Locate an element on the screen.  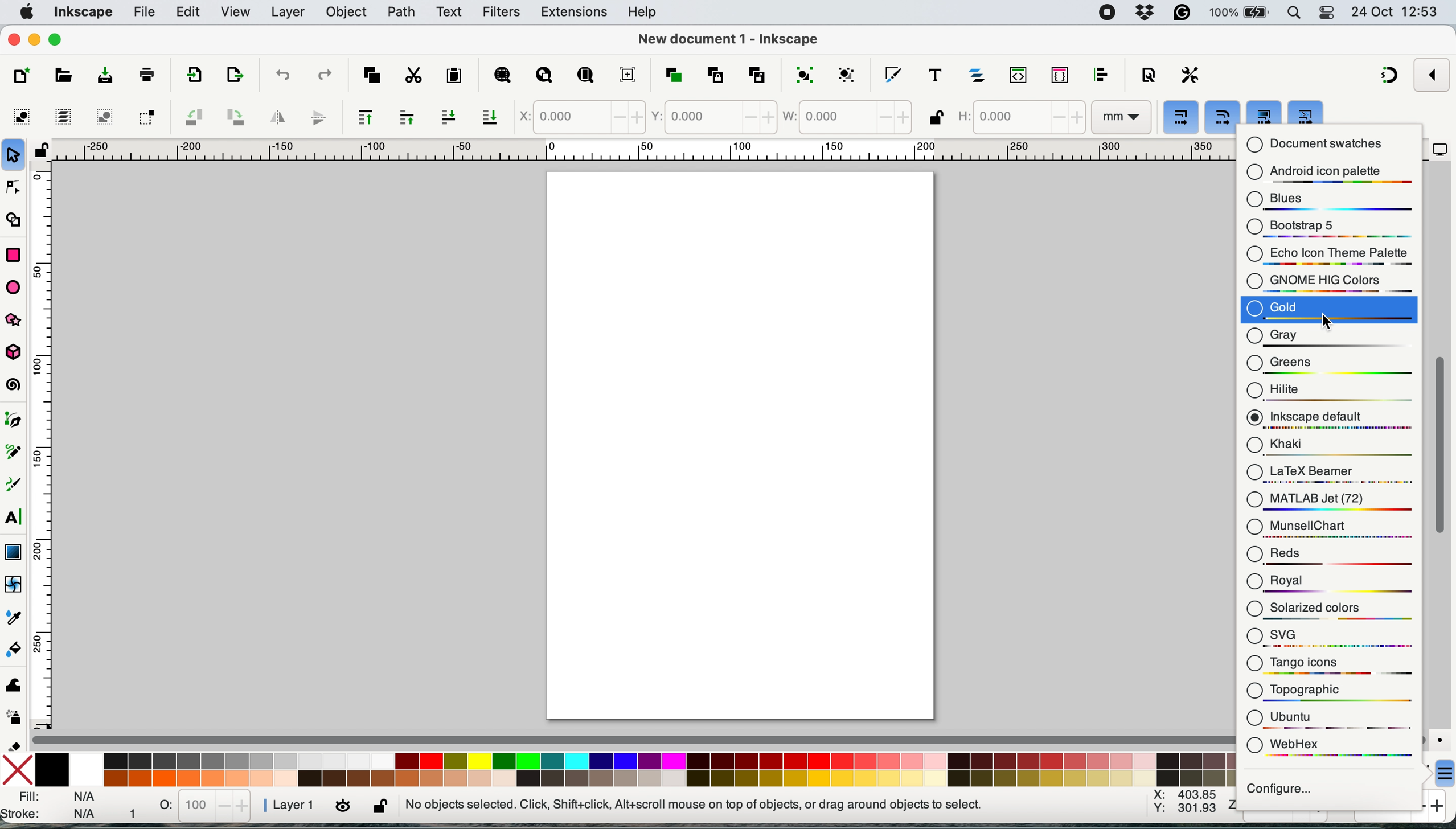
tango icons is located at coordinates (1329, 661).